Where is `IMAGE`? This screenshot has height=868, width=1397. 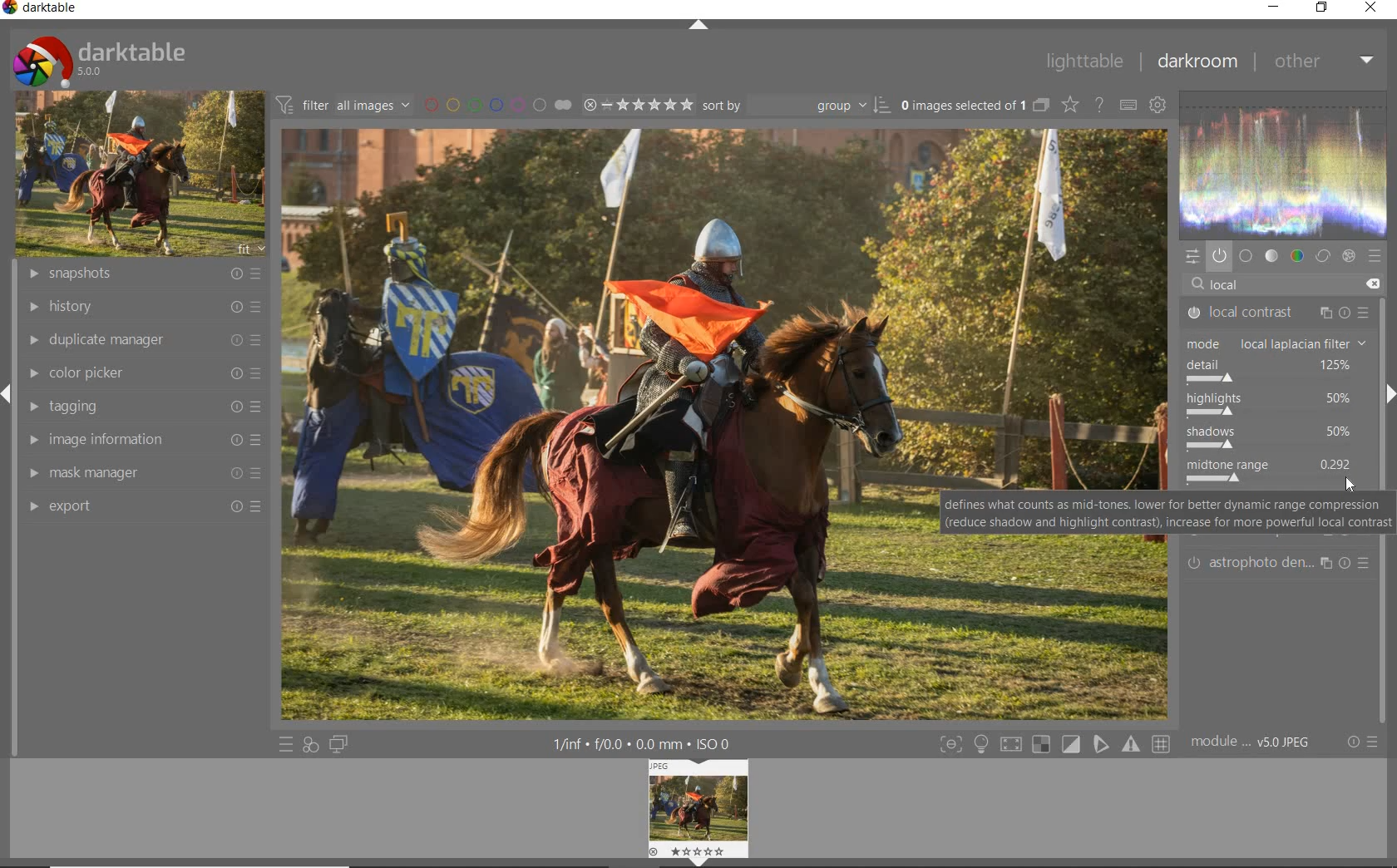 IMAGE is located at coordinates (697, 813).